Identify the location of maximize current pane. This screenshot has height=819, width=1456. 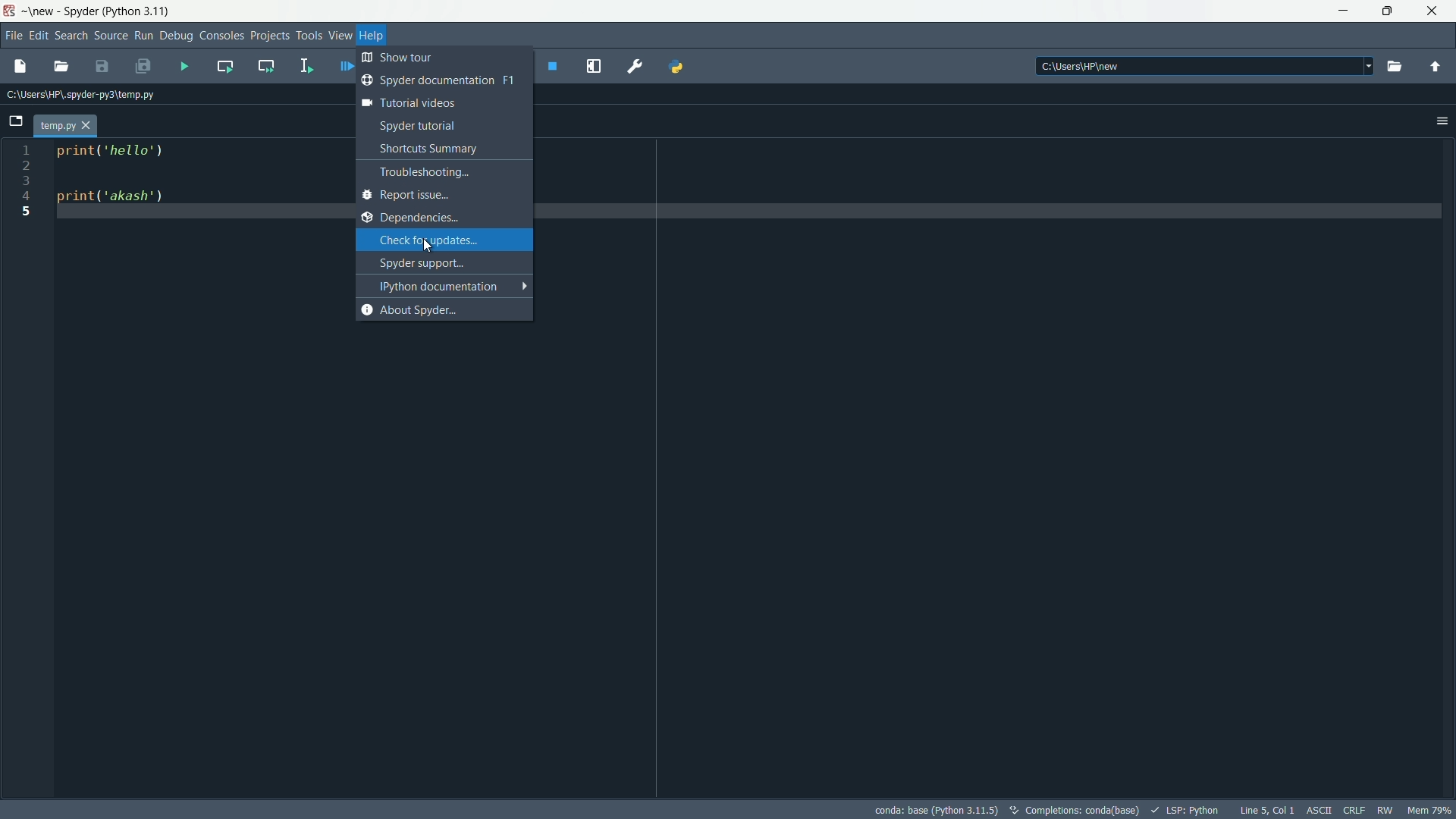
(598, 65).